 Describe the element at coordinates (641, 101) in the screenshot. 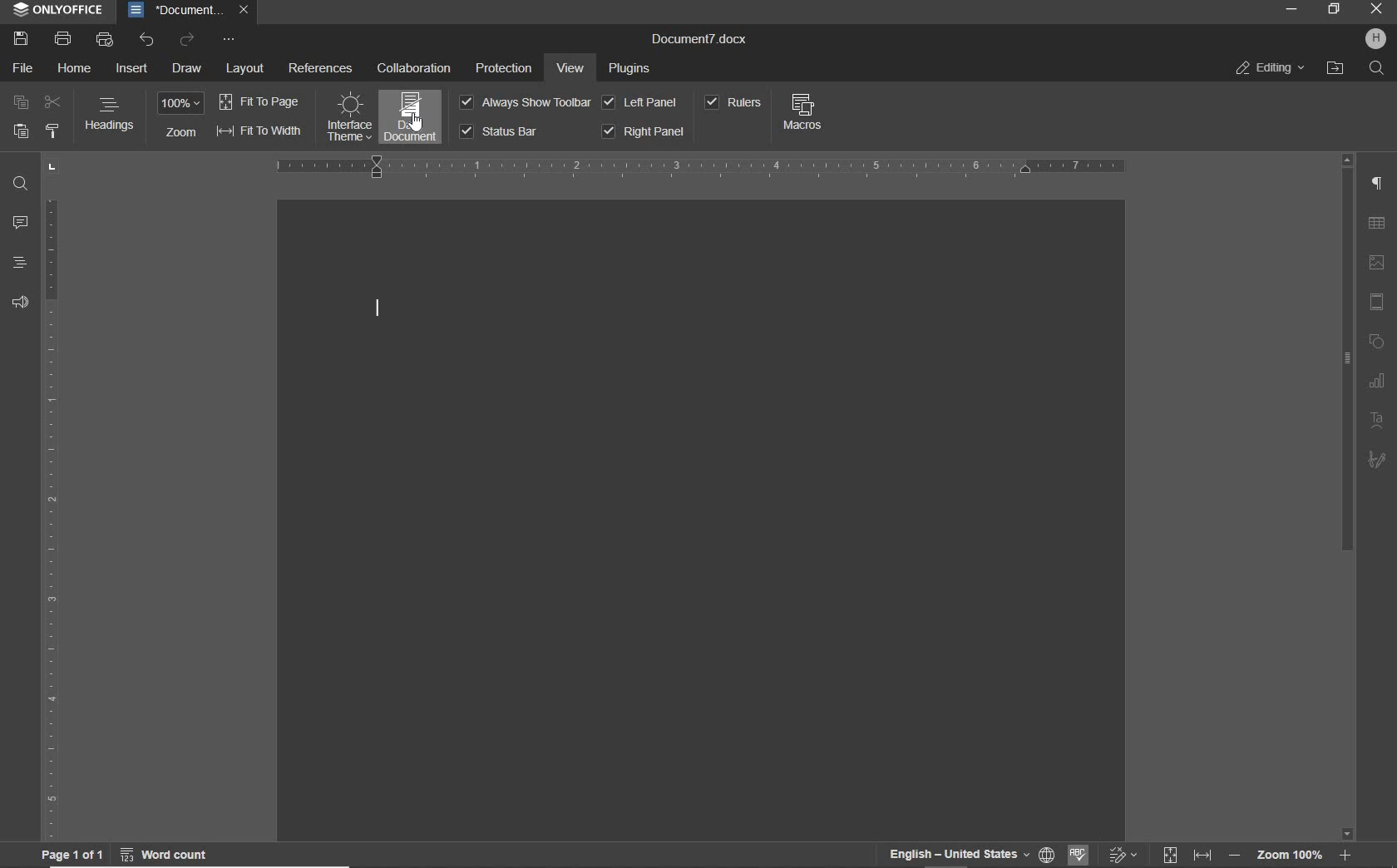

I see `LEFT PANEL` at that location.